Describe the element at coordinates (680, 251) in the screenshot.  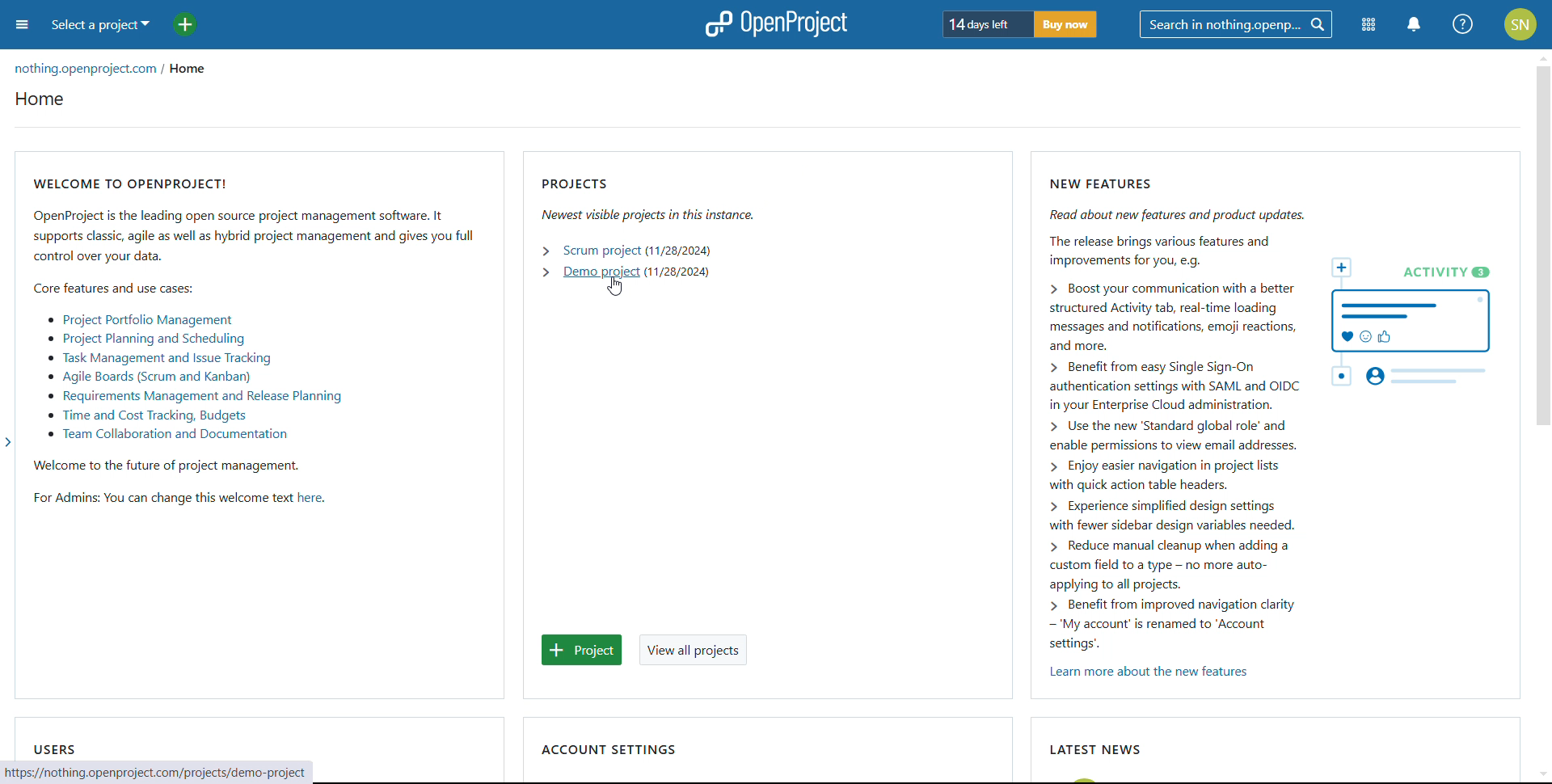
I see `start date of scrum project` at that location.